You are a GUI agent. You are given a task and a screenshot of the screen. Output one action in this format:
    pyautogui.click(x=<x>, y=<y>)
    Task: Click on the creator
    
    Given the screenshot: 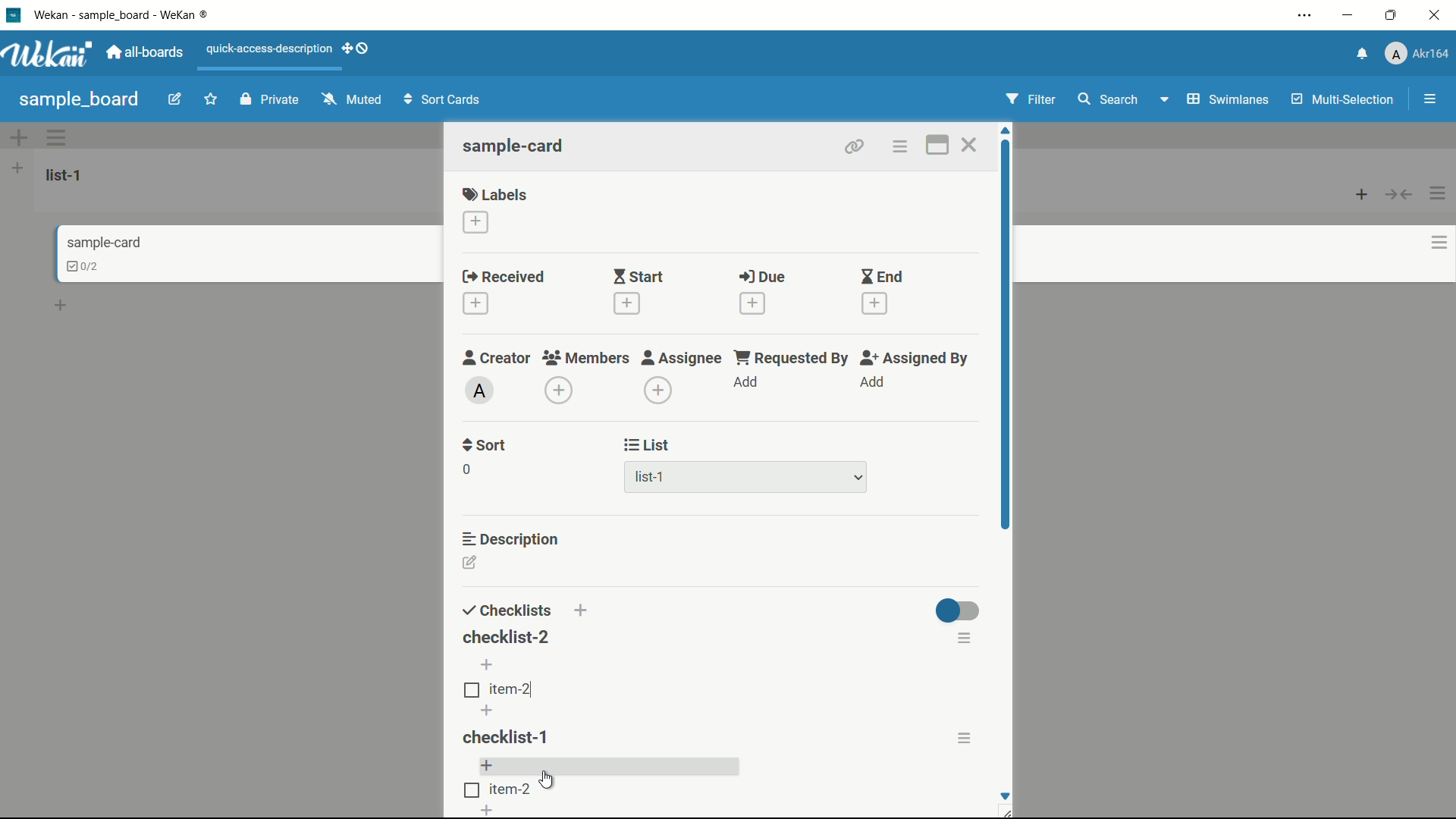 What is the action you would take?
    pyautogui.click(x=497, y=357)
    